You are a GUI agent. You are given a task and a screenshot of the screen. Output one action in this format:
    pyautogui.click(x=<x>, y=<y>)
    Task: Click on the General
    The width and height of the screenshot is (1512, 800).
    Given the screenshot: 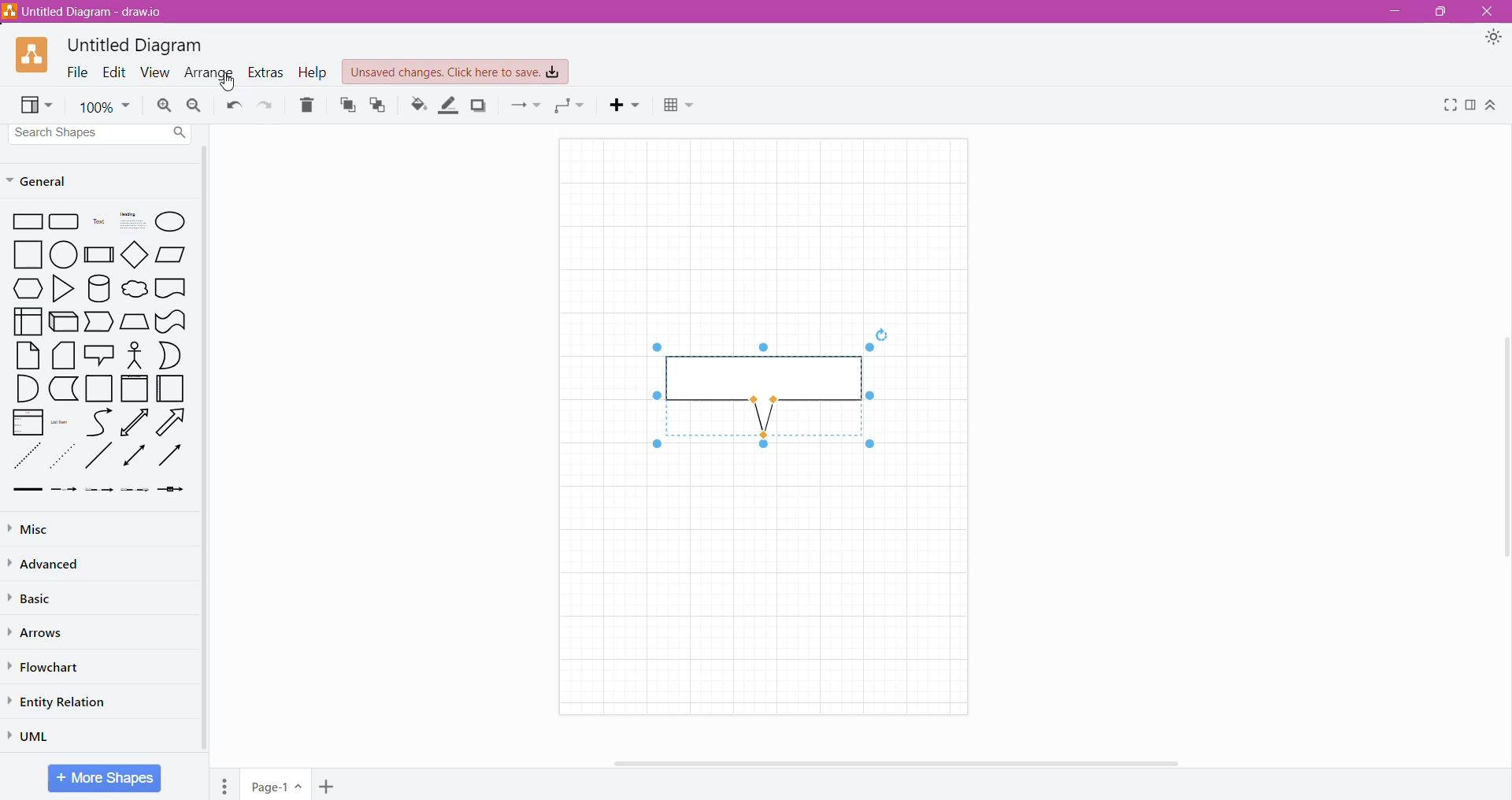 What is the action you would take?
    pyautogui.click(x=47, y=180)
    